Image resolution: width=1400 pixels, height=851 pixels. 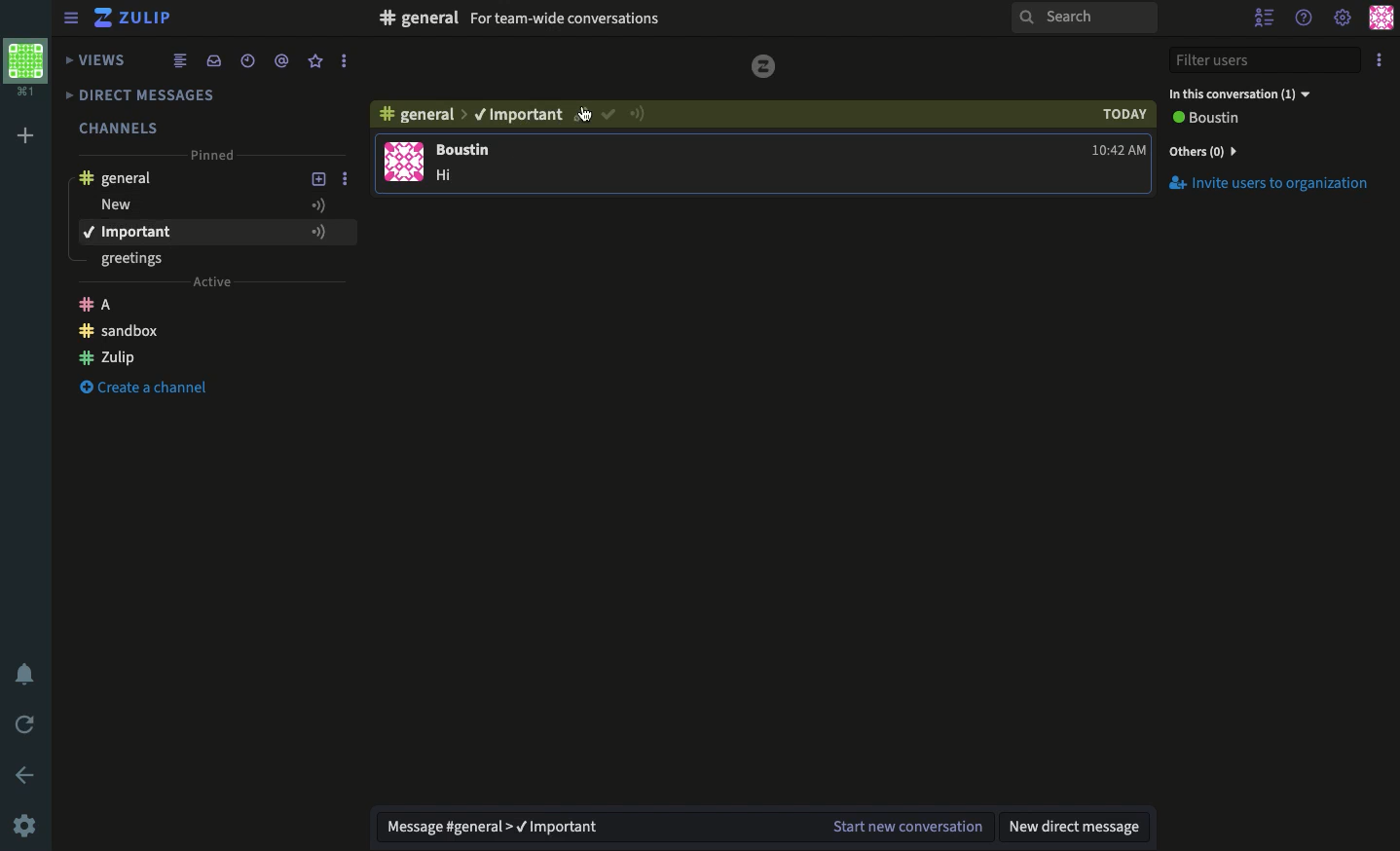 What do you see at coordinates (285, 60) in the screenshot?
I see `Mention` at bounding box center [285, 60].